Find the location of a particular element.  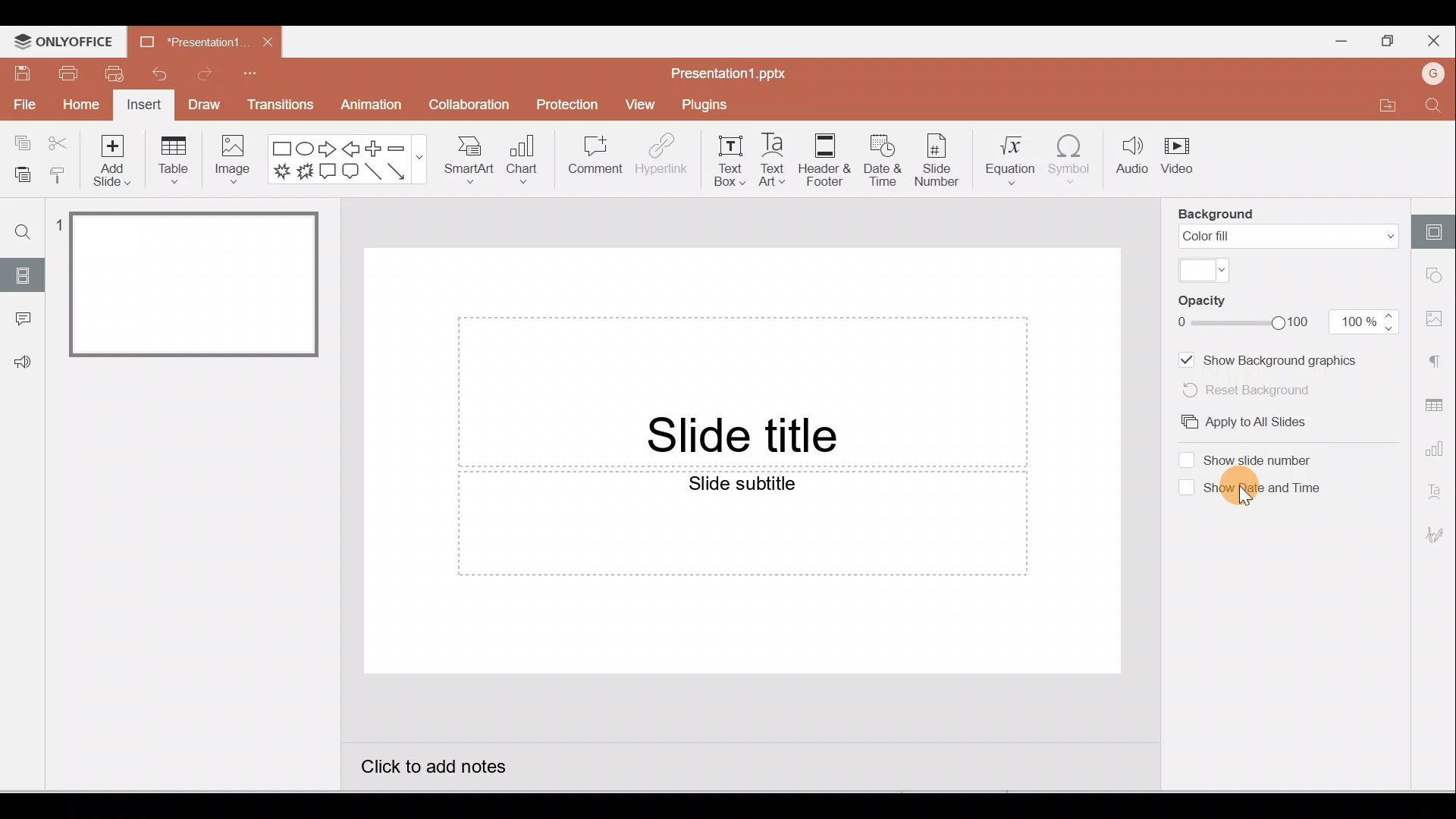

Comment is located at coordinates (23, 318).